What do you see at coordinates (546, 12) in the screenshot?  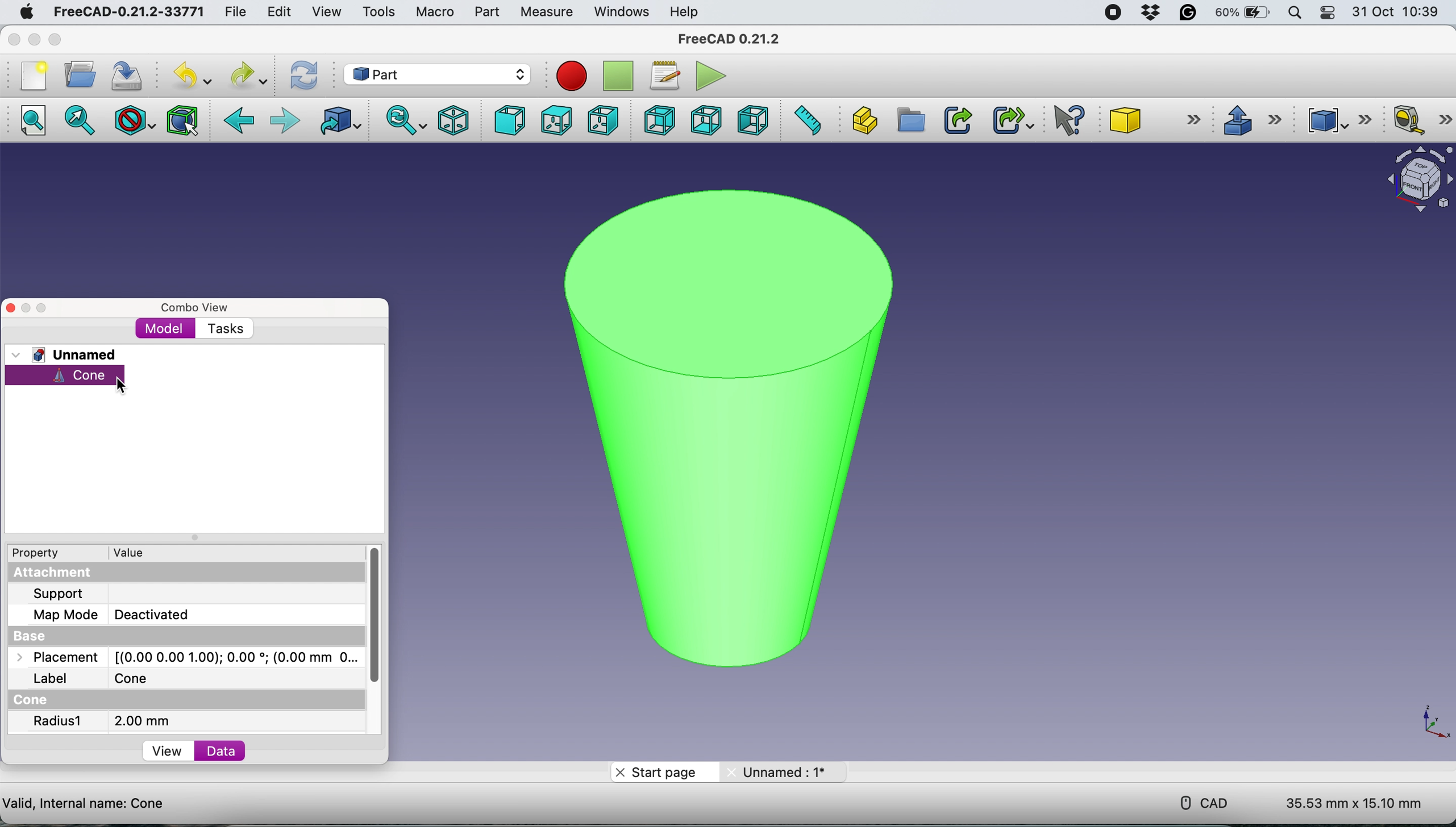 I see `measure` at bounding box center [546, 12].